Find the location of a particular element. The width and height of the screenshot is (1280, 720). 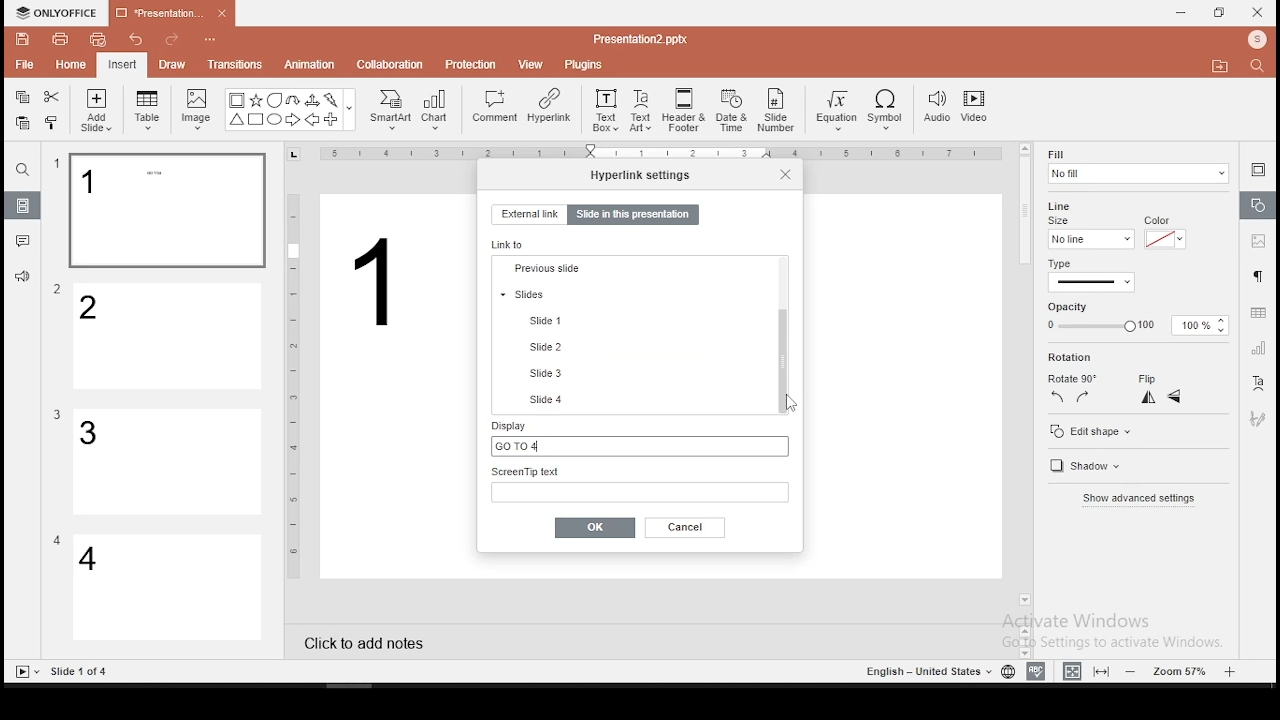

print file is located at coordinates (60, 37).